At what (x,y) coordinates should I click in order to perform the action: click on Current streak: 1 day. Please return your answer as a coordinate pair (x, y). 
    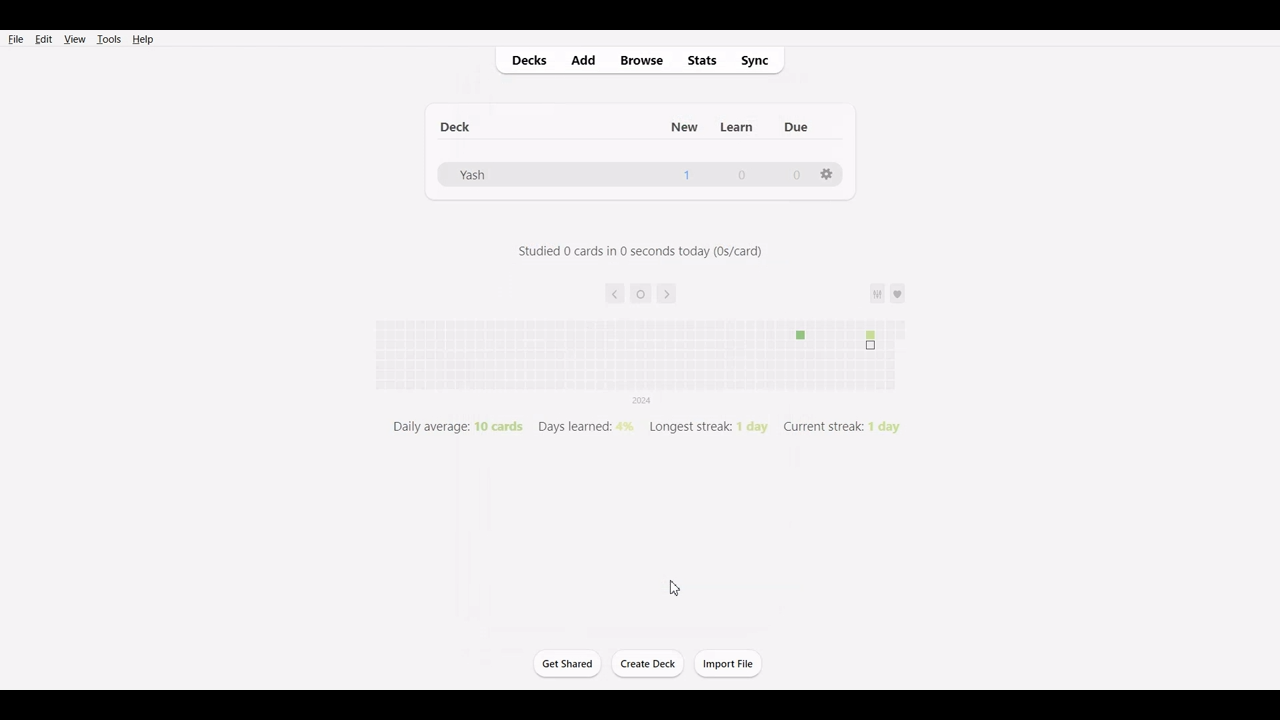
    Looking at the image, I should click on (846, 425).